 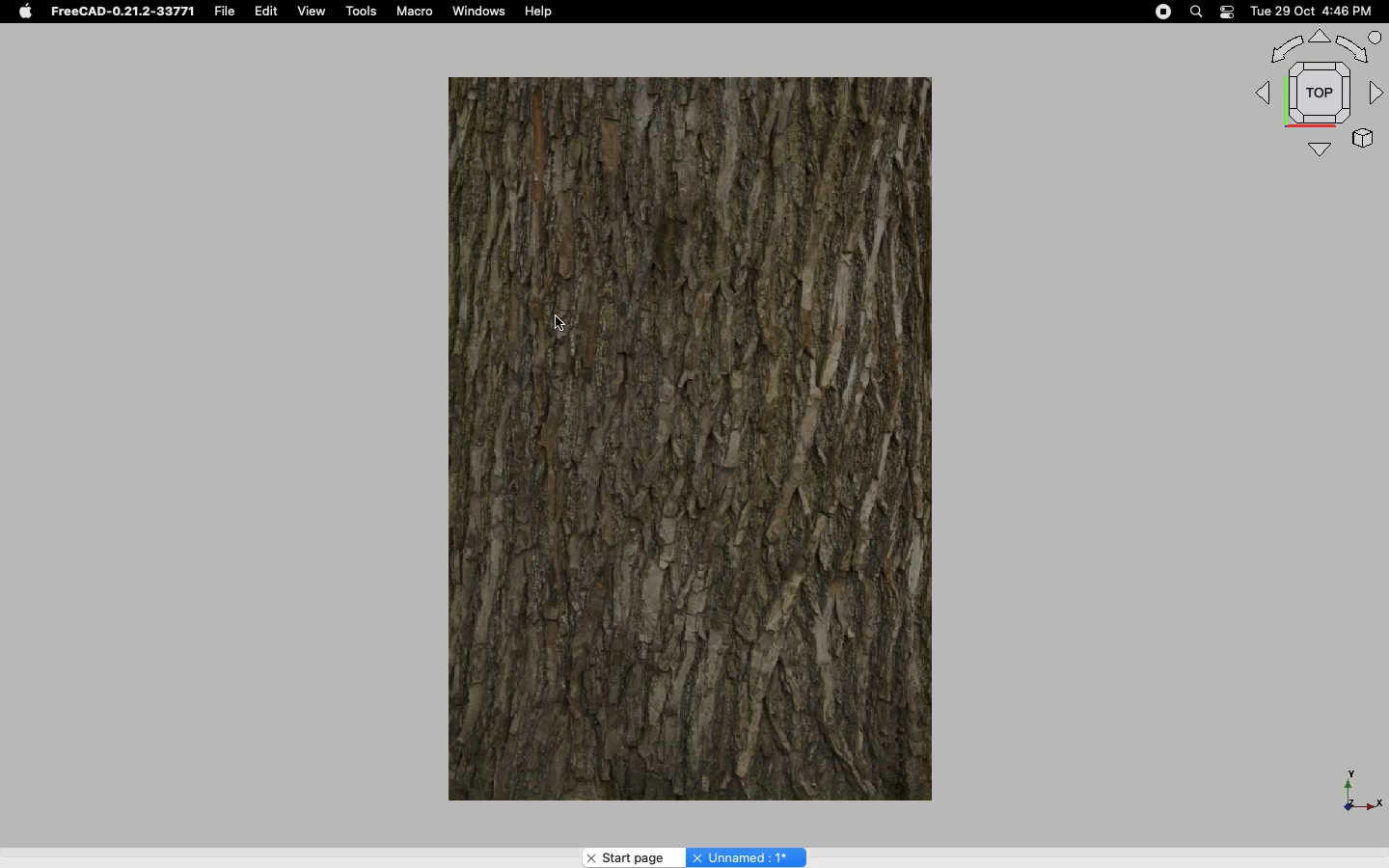 I want to click on Tue 29 Oct 4:46 PM, so click(x=1311, y=12).